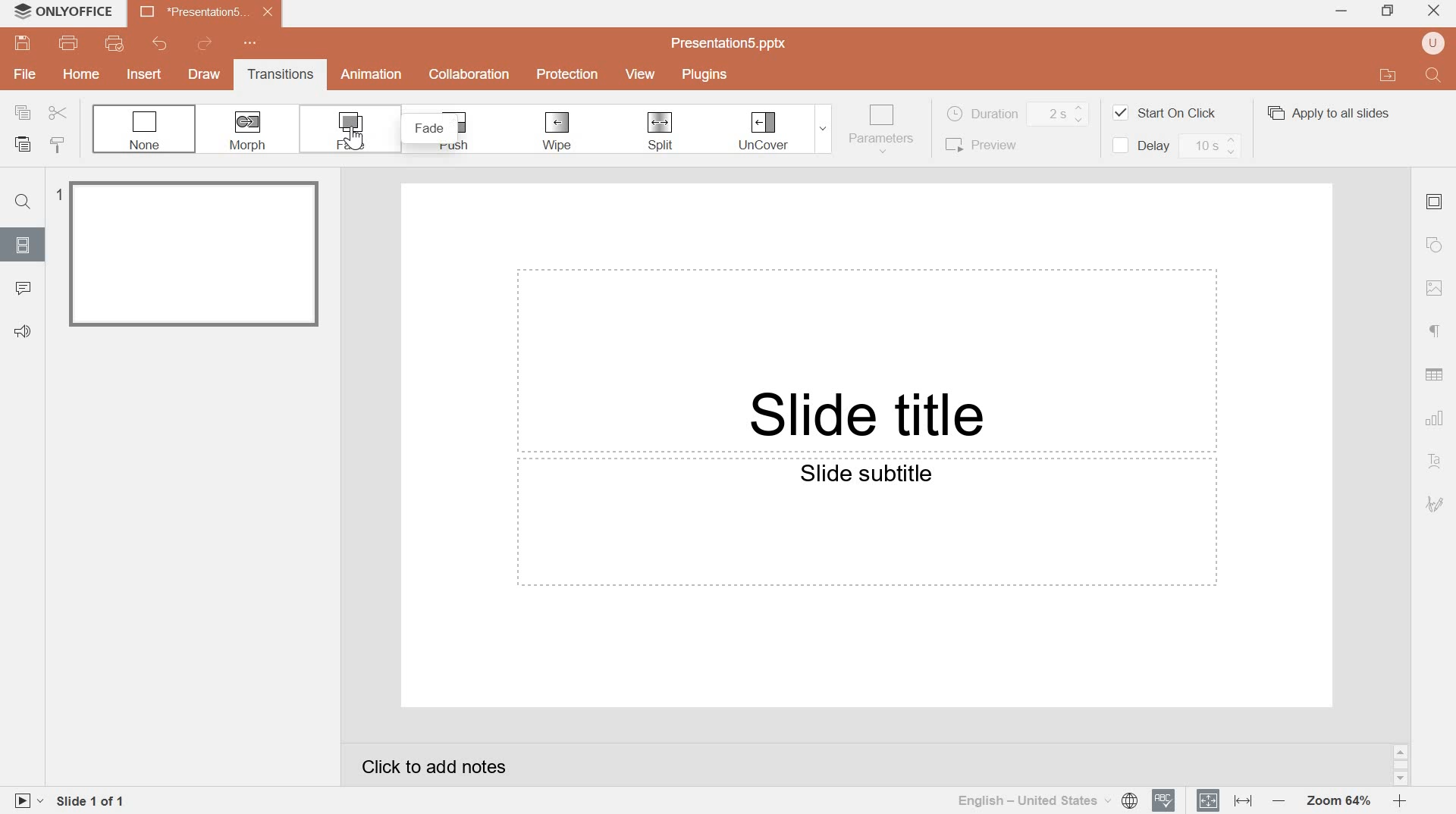 This screenshot has width=1456, height=814. I want to click on Cut, so click(57, 114).